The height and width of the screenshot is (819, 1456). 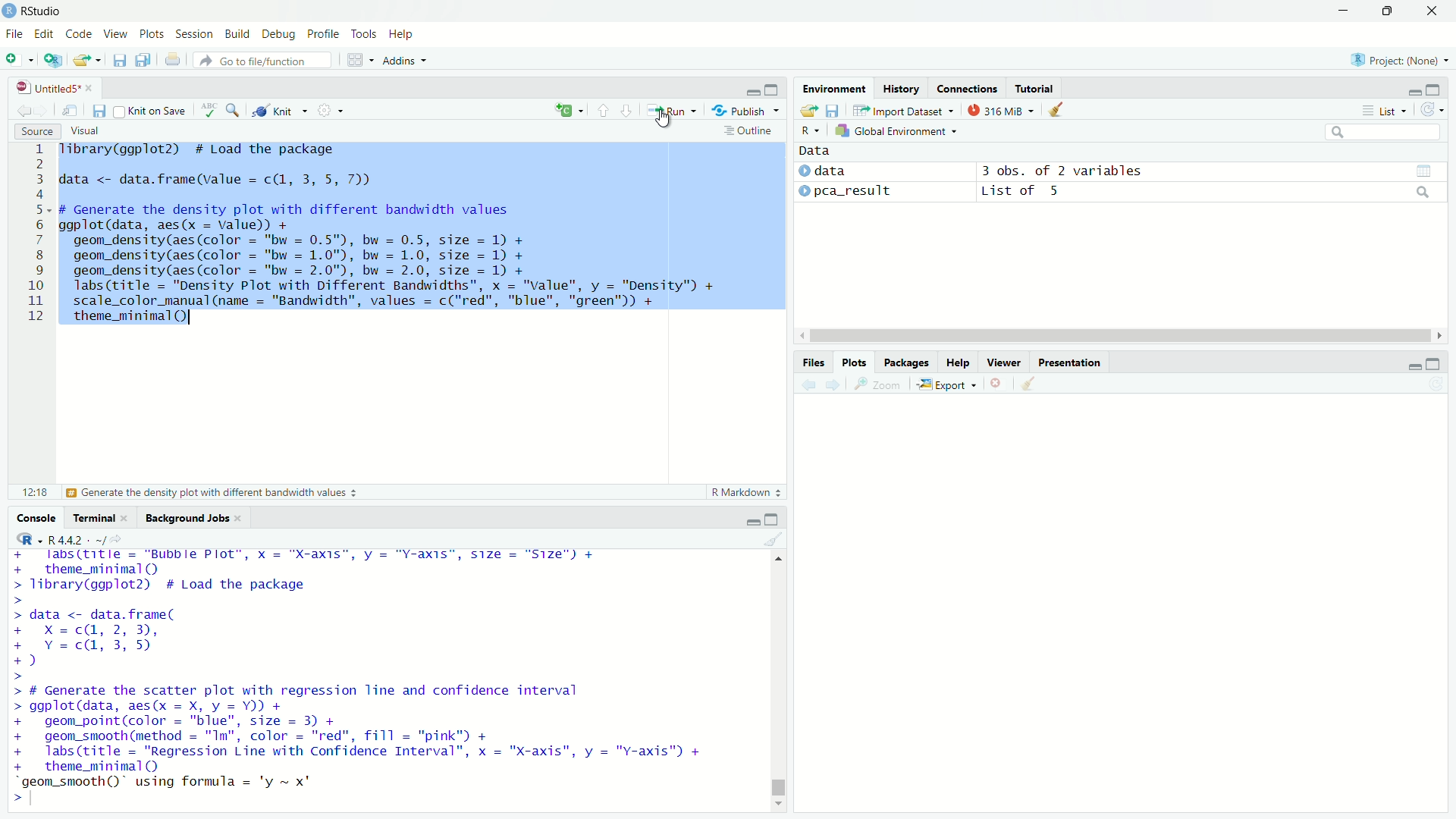 I want to click on Go forward to next source location, so click(x=39, y=110).